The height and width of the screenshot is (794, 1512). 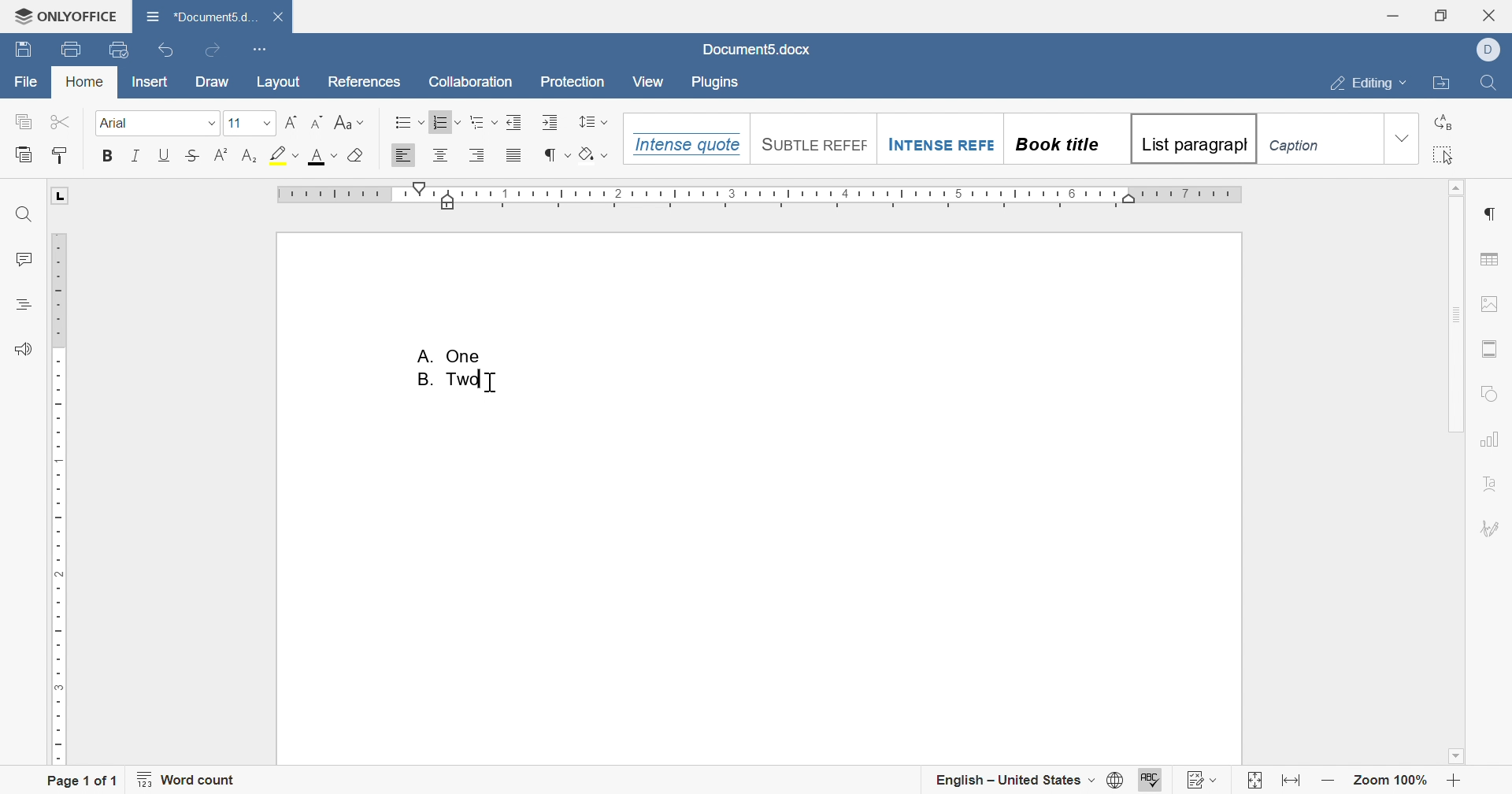 I want to click on page 1 of 1, so click(x=83, y=779).